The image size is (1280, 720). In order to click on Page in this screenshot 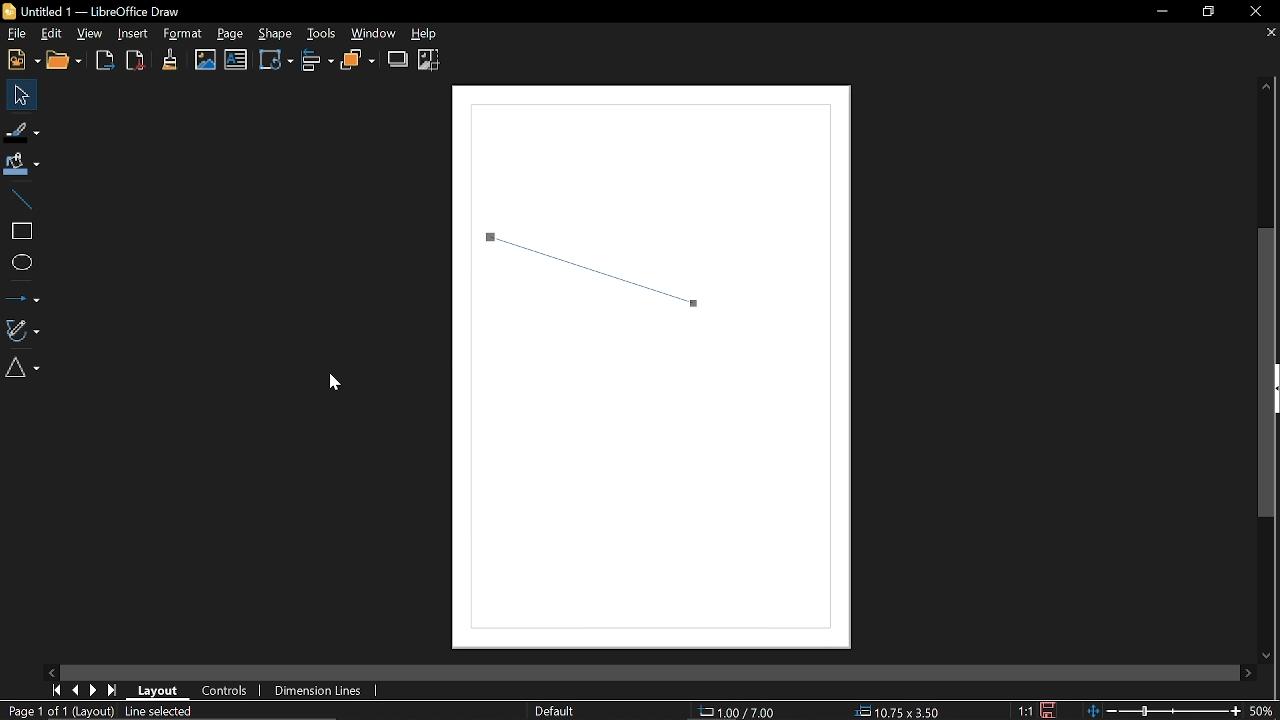, I will do `click(232, 36)`.